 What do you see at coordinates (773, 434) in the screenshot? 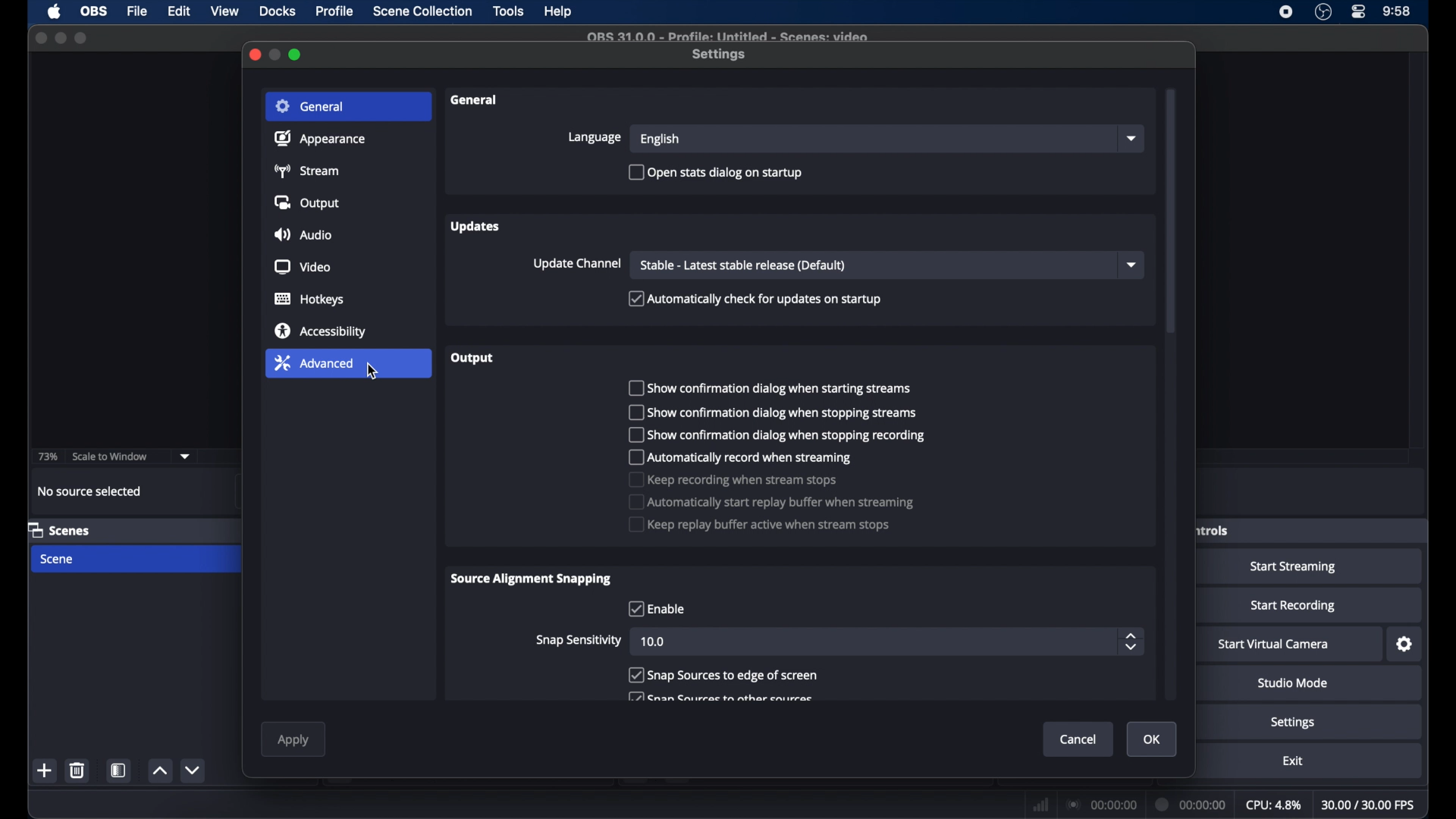
I see `checkbox` at bounding box center [773, 434].